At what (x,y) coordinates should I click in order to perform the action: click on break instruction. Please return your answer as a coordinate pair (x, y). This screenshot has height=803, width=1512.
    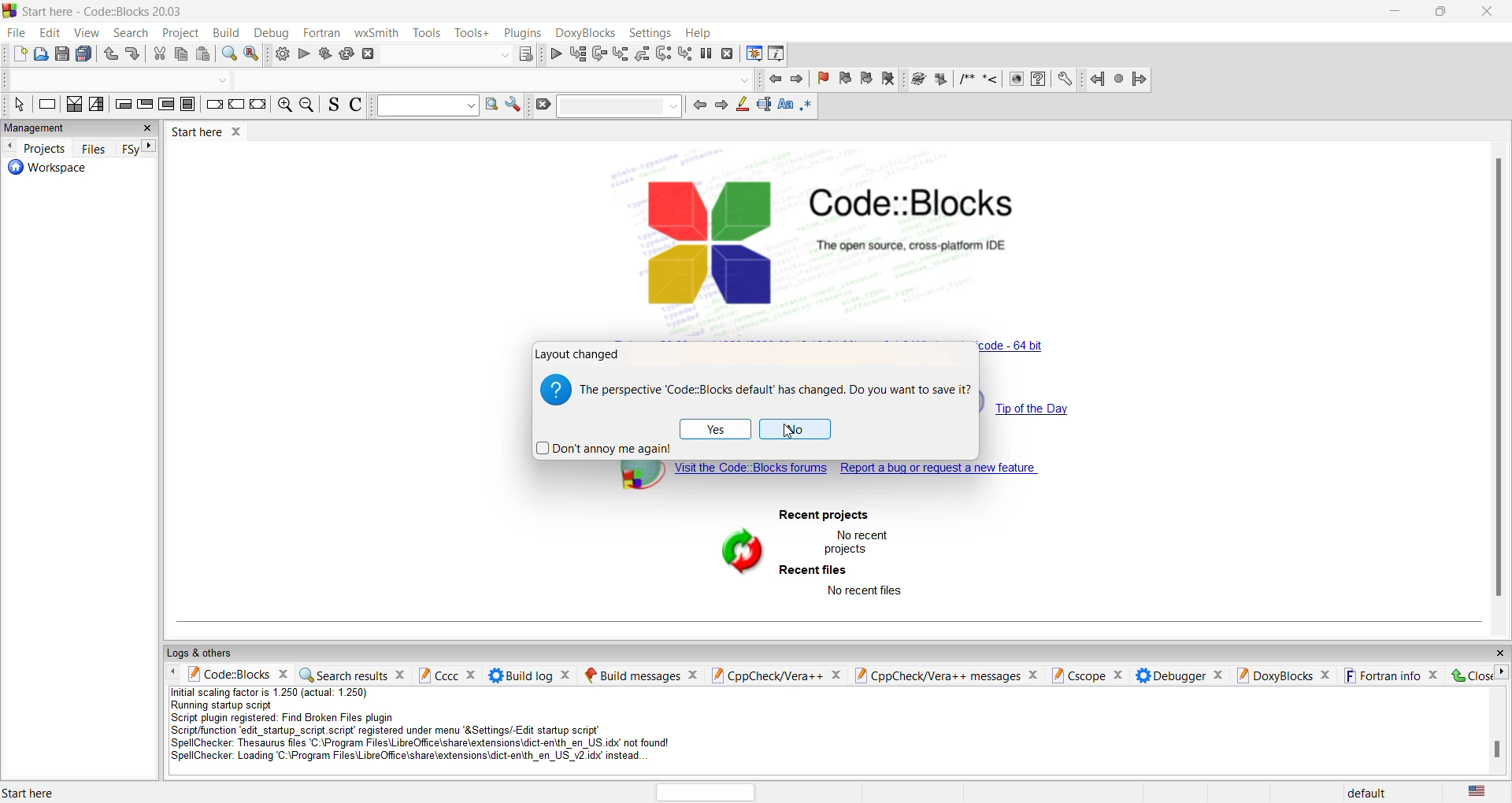
    Looking at the image, I should click on (215, 105).